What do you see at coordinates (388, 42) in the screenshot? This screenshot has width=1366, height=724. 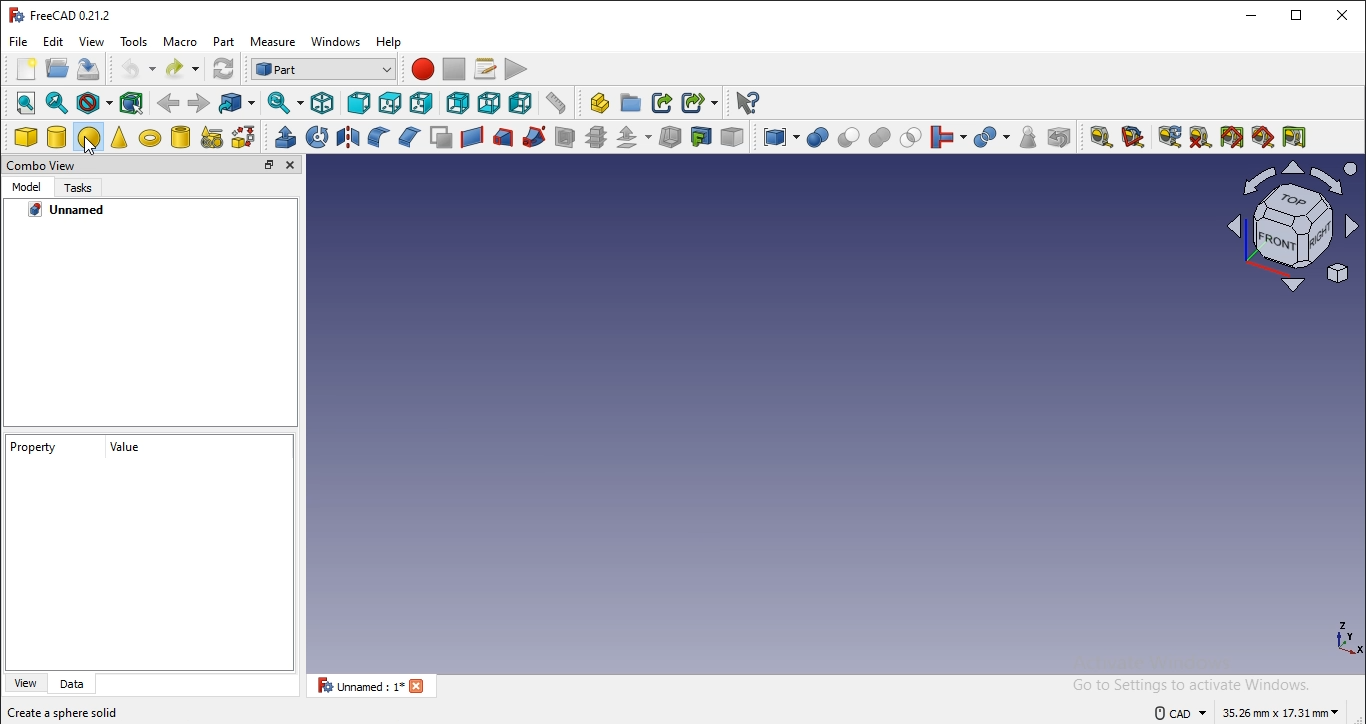 I see `help` at bounding box center [388, 42].